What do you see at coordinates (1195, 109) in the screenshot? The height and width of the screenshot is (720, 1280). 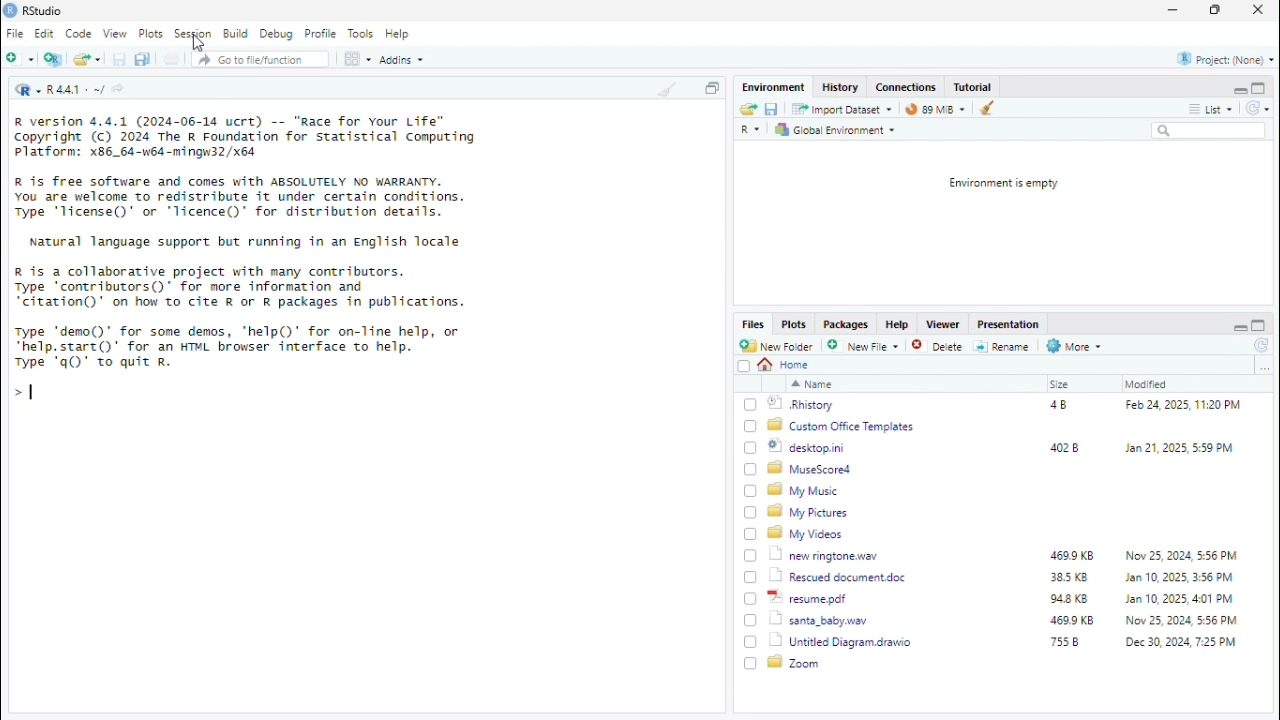 I see `more` at bounding box center [1195, 109].